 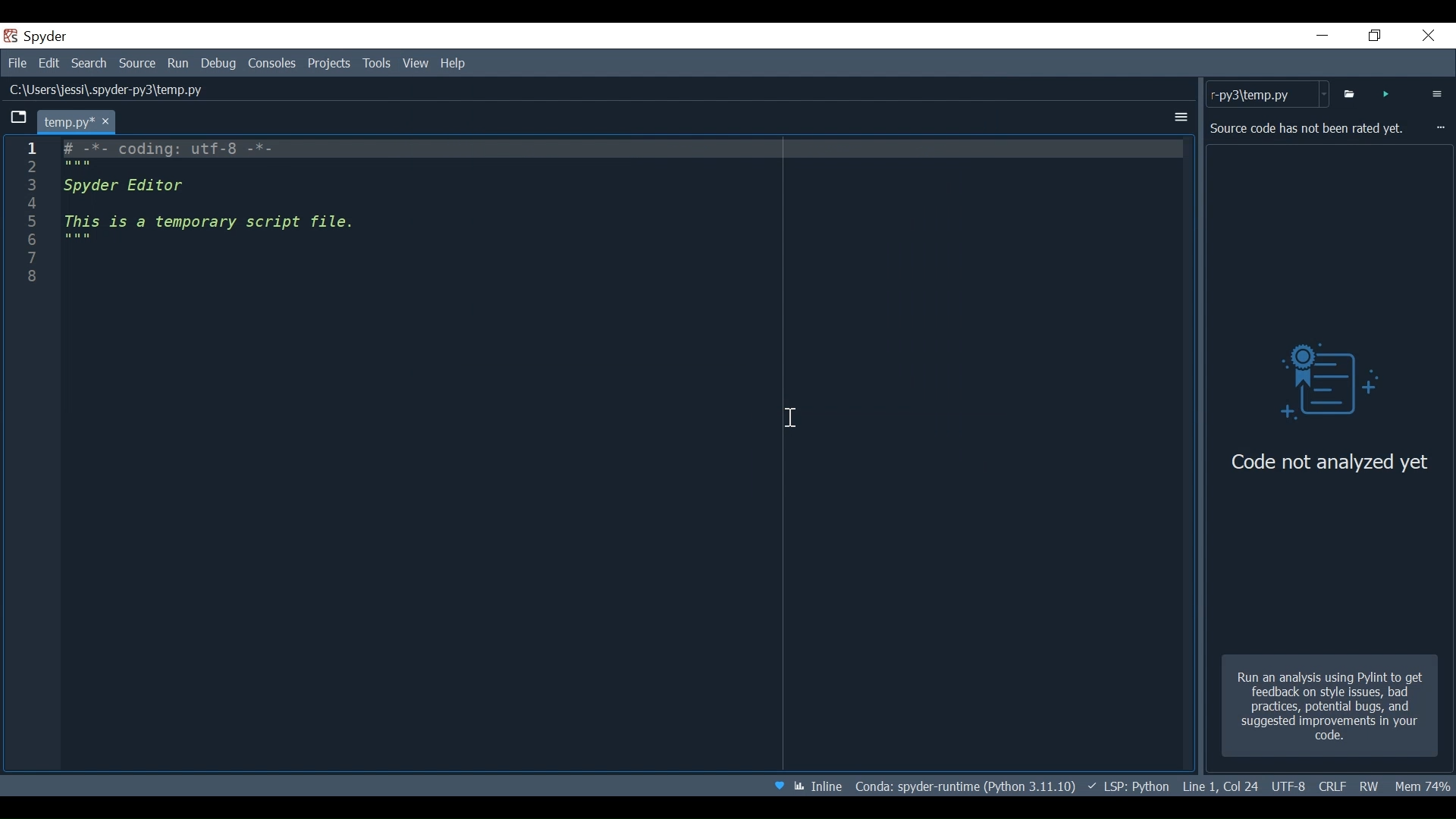 What do you see at coordinates (792, 419) in the screenshot?
I see `Cursor` at bounding box center [792, 419].